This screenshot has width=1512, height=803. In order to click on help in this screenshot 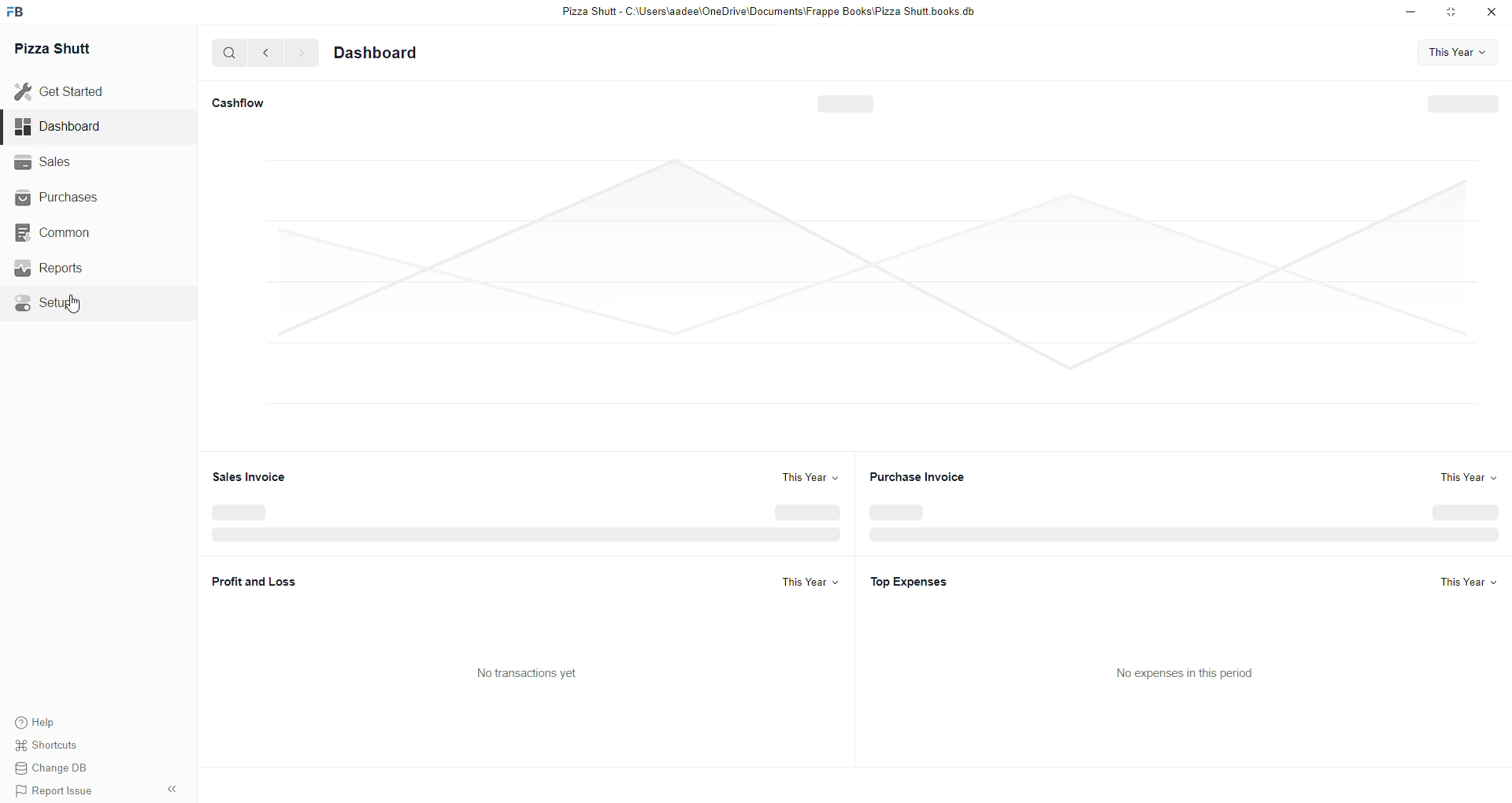, I will do `click(51, 722)`.